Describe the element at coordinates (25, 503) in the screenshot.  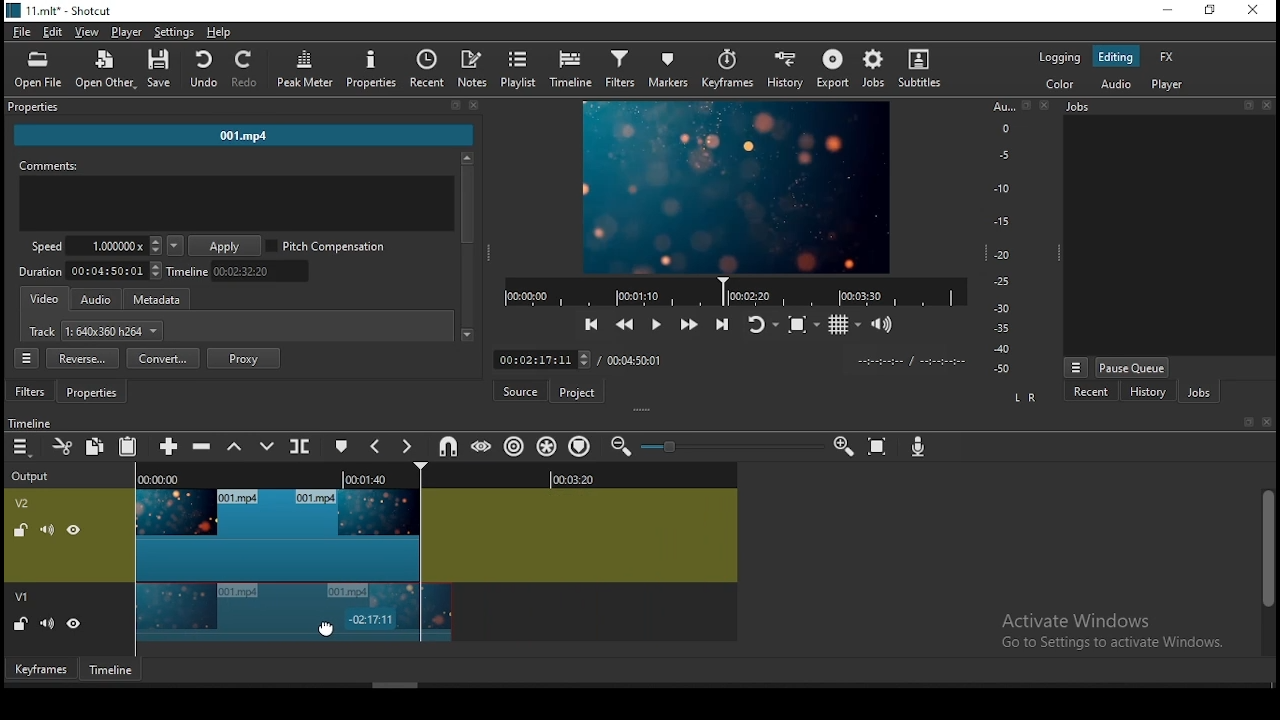
I see `V2` at that location.